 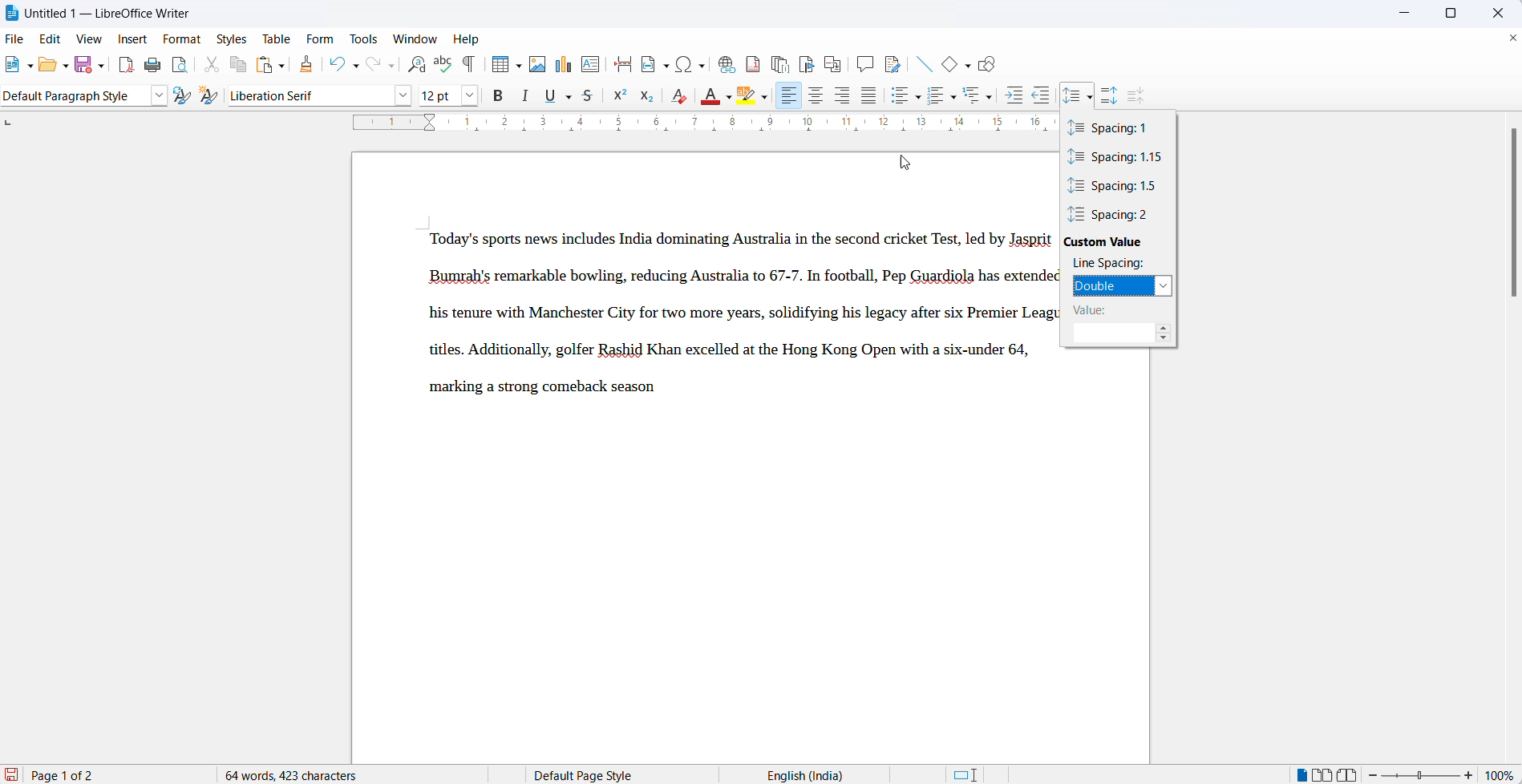 I want to click on subscript, so click(x=651, y=95).